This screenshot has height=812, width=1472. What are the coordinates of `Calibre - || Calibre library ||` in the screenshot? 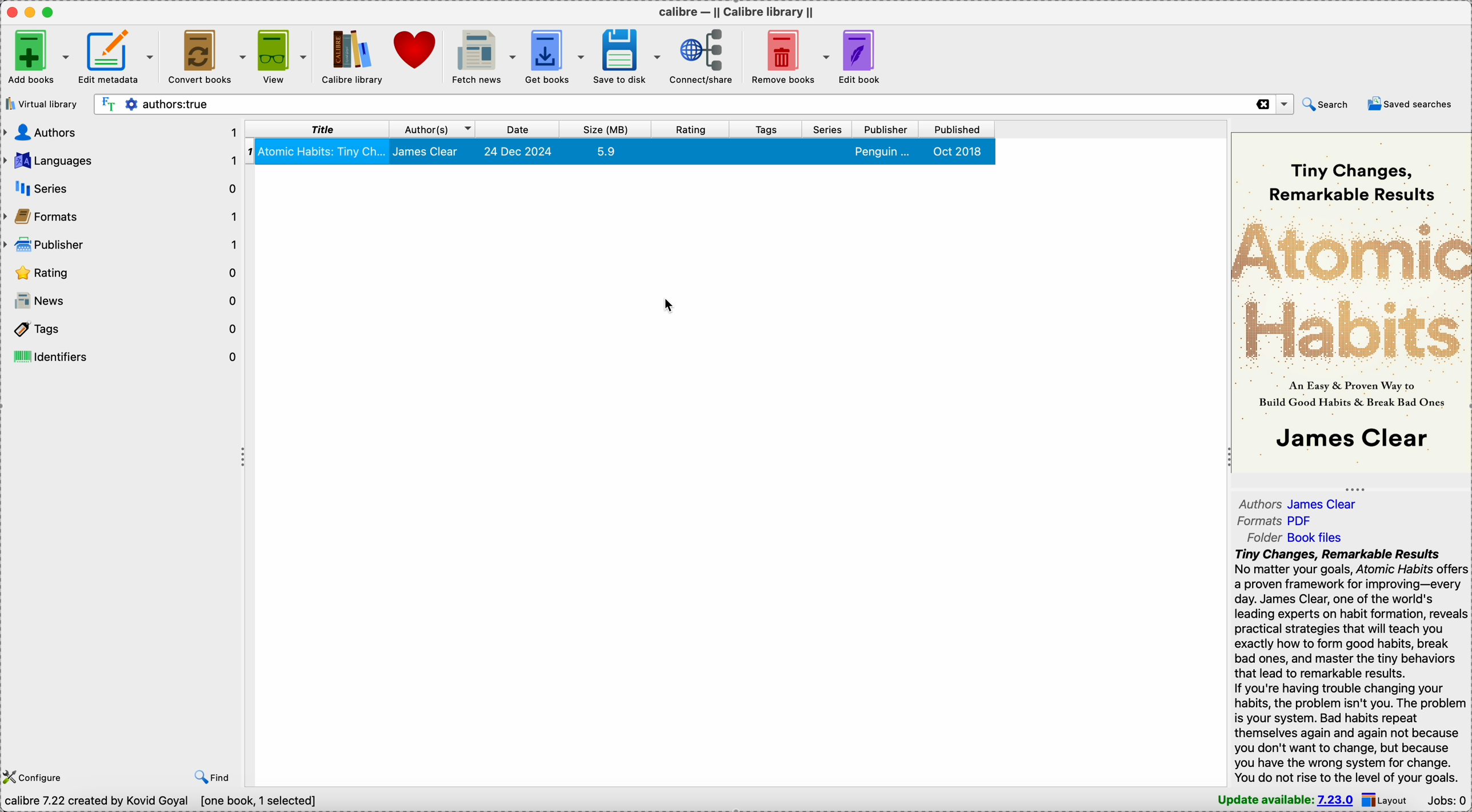 It's located at (736, 13).